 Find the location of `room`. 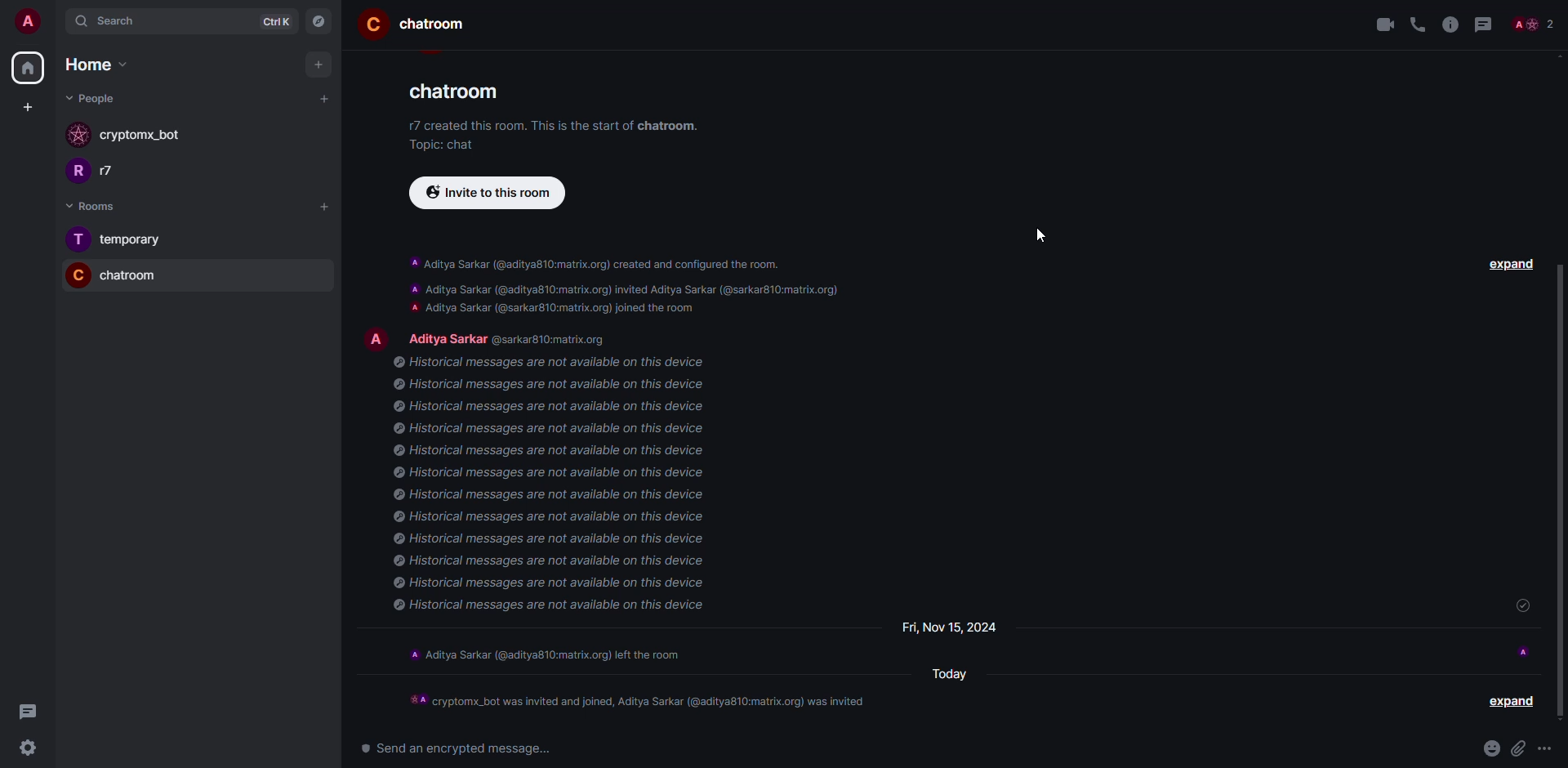

room is located at coordinates (132, 276).